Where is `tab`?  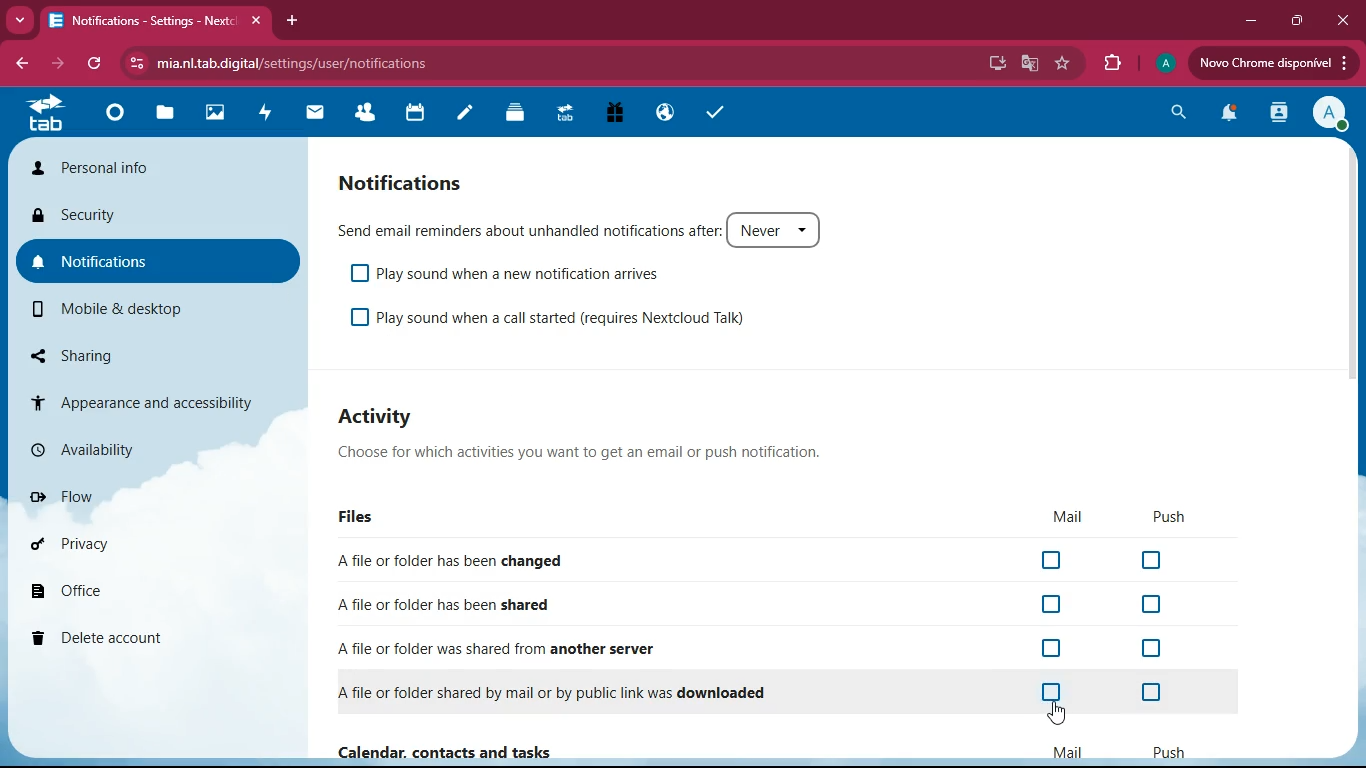 tab is located at coordinates (44, 116).